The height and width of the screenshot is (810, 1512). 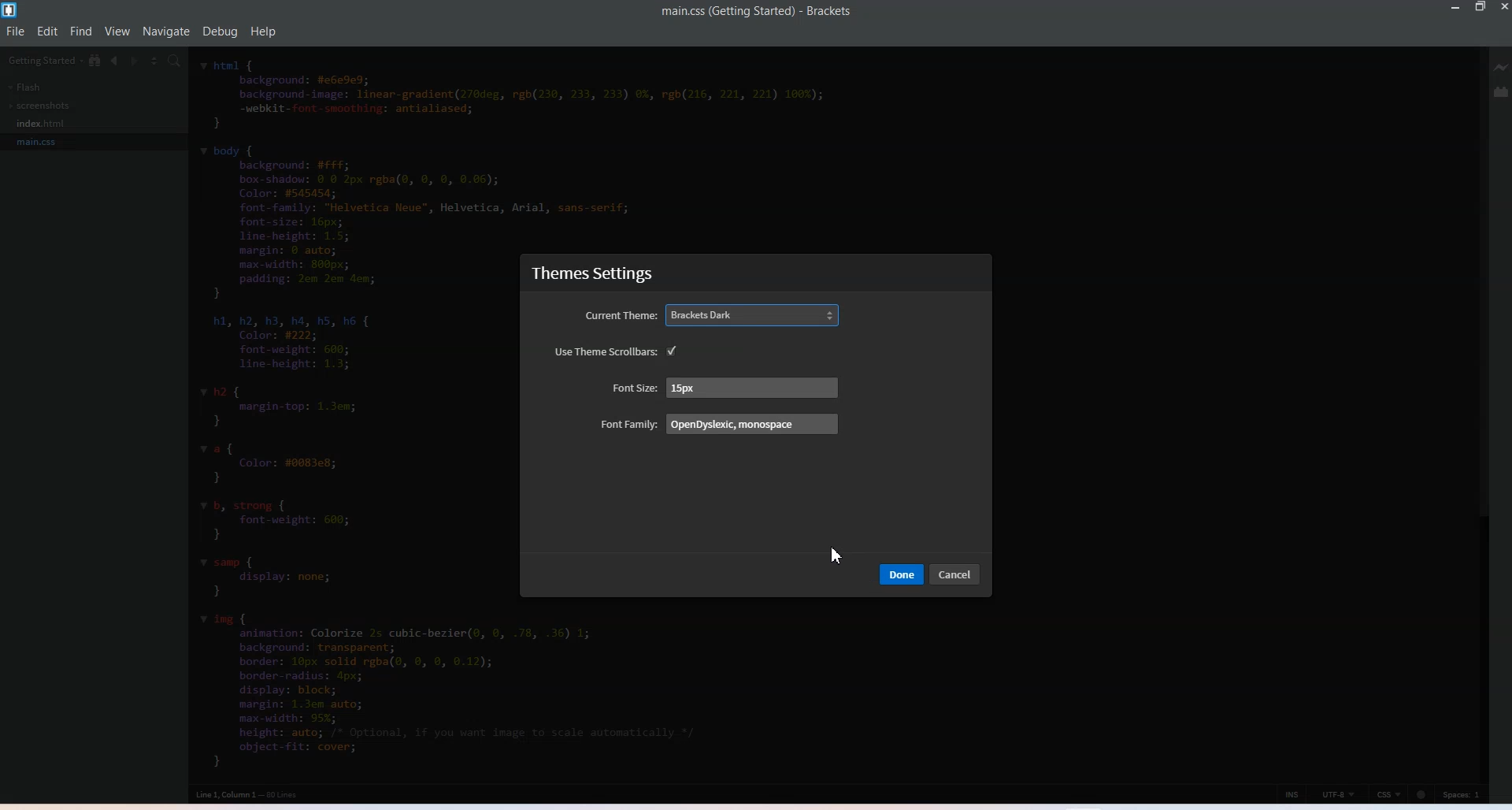 What do you see at coordinates (902, 574) in the screenshot?
I see `Done` at bounding box center [902, 574].